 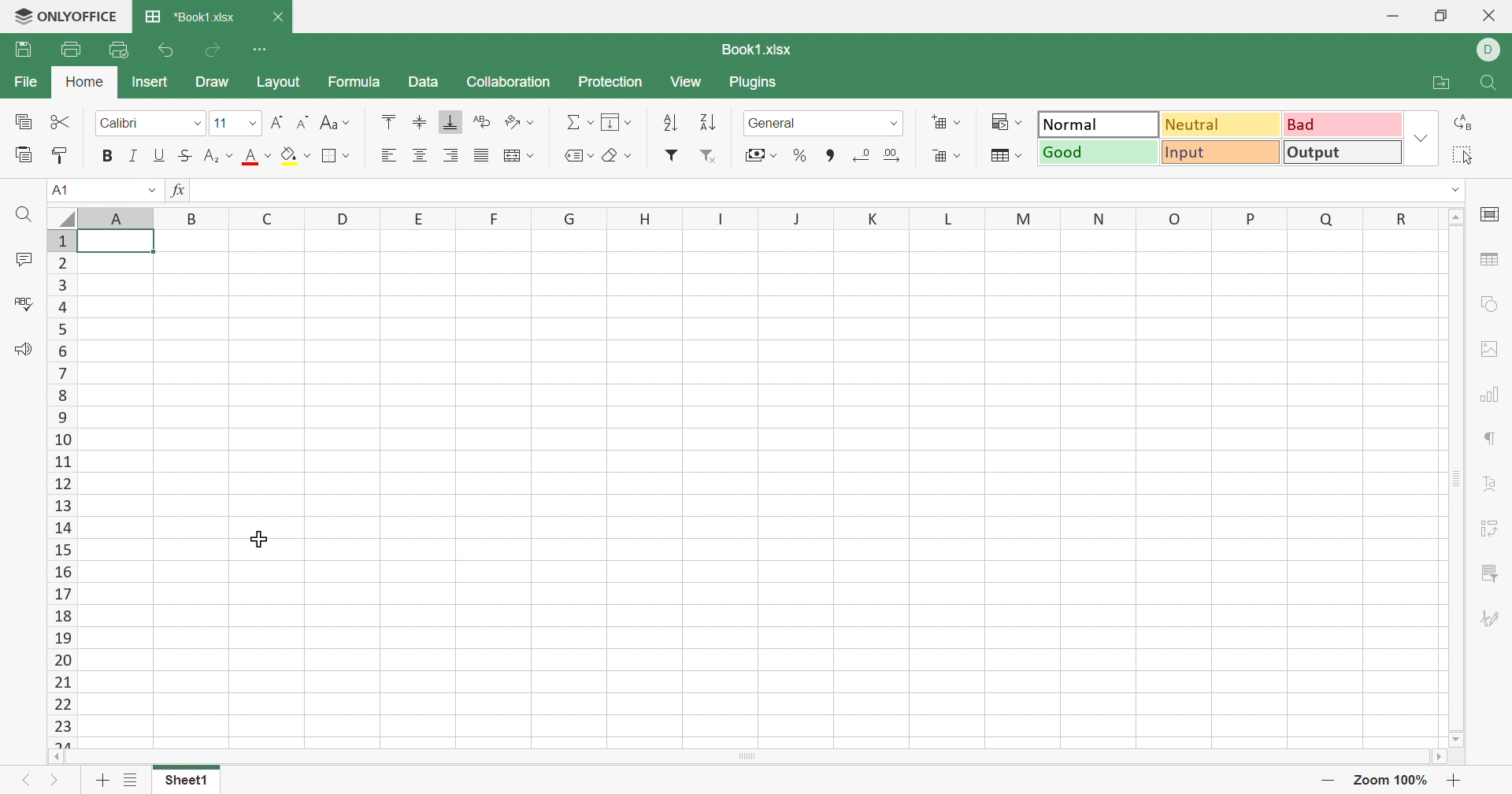 What do you see at coordinates (1492, 18) in the screenshot?
I see `Close` at bounding box center [1492, 18].